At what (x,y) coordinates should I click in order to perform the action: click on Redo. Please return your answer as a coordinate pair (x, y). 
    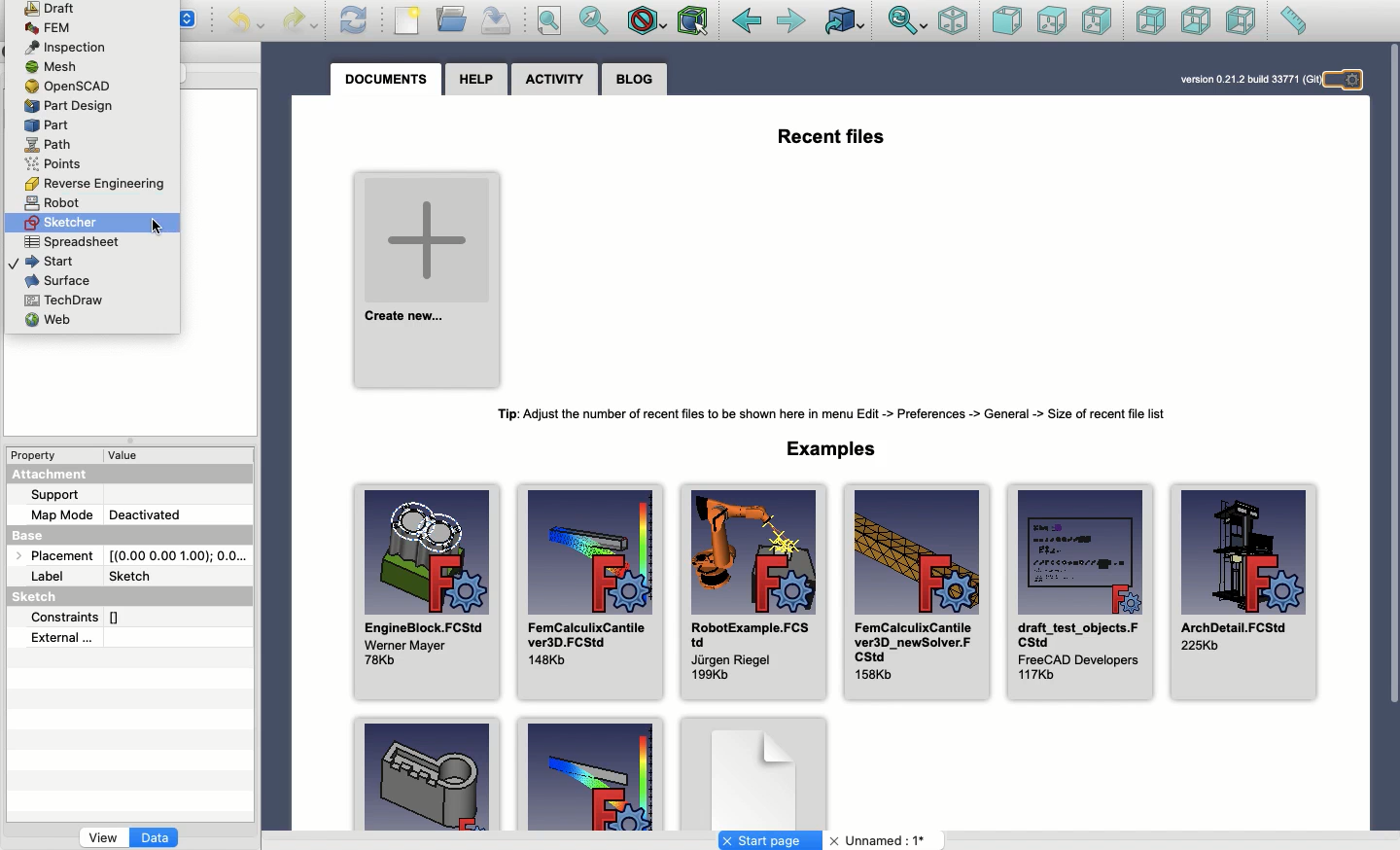
    Looking at the image, I should click on (299, 22).